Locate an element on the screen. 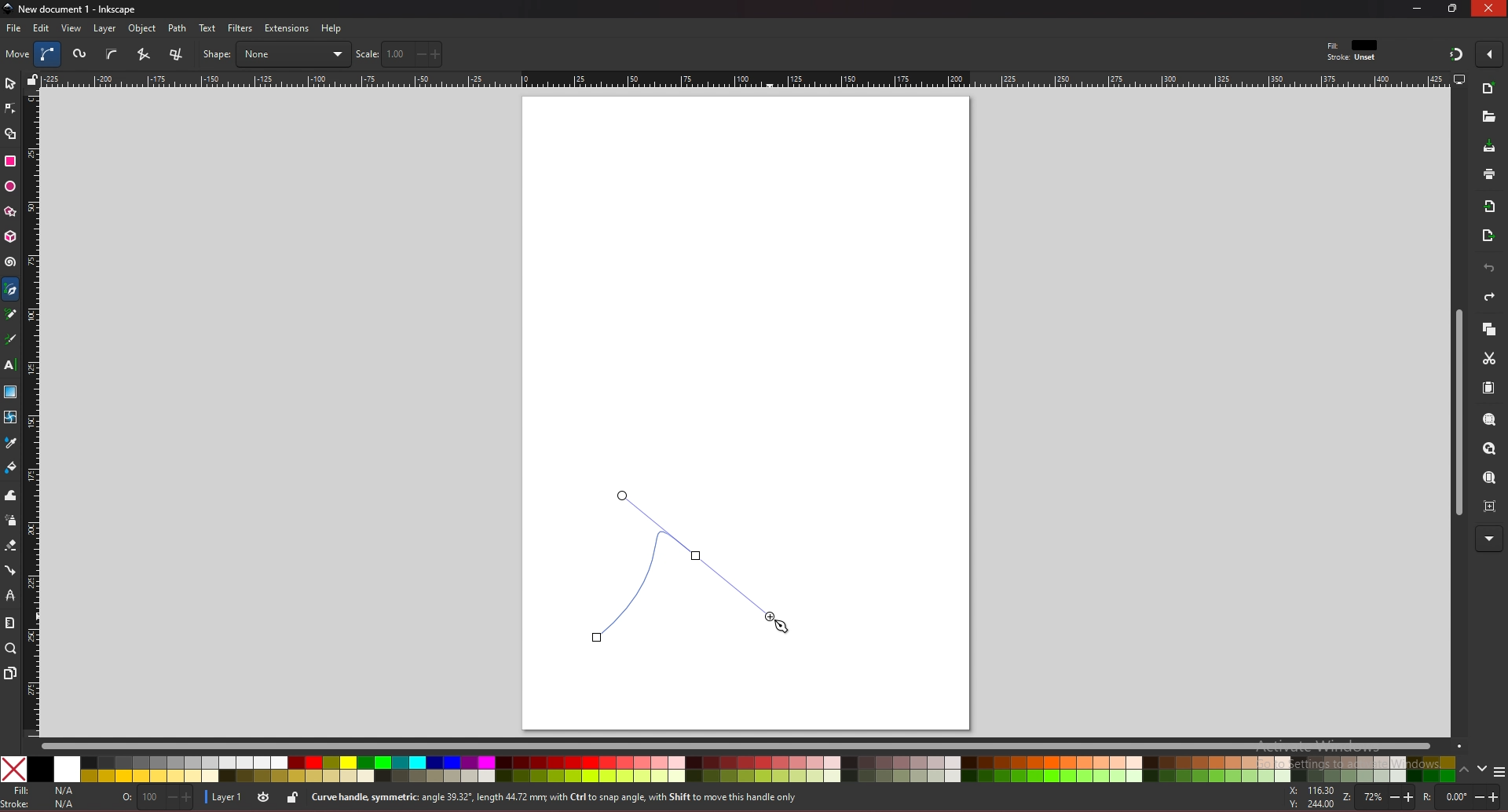 Image resolution: width=1508 pixels, height=812 pixels. minimize is located at coordinates (1418, 8).